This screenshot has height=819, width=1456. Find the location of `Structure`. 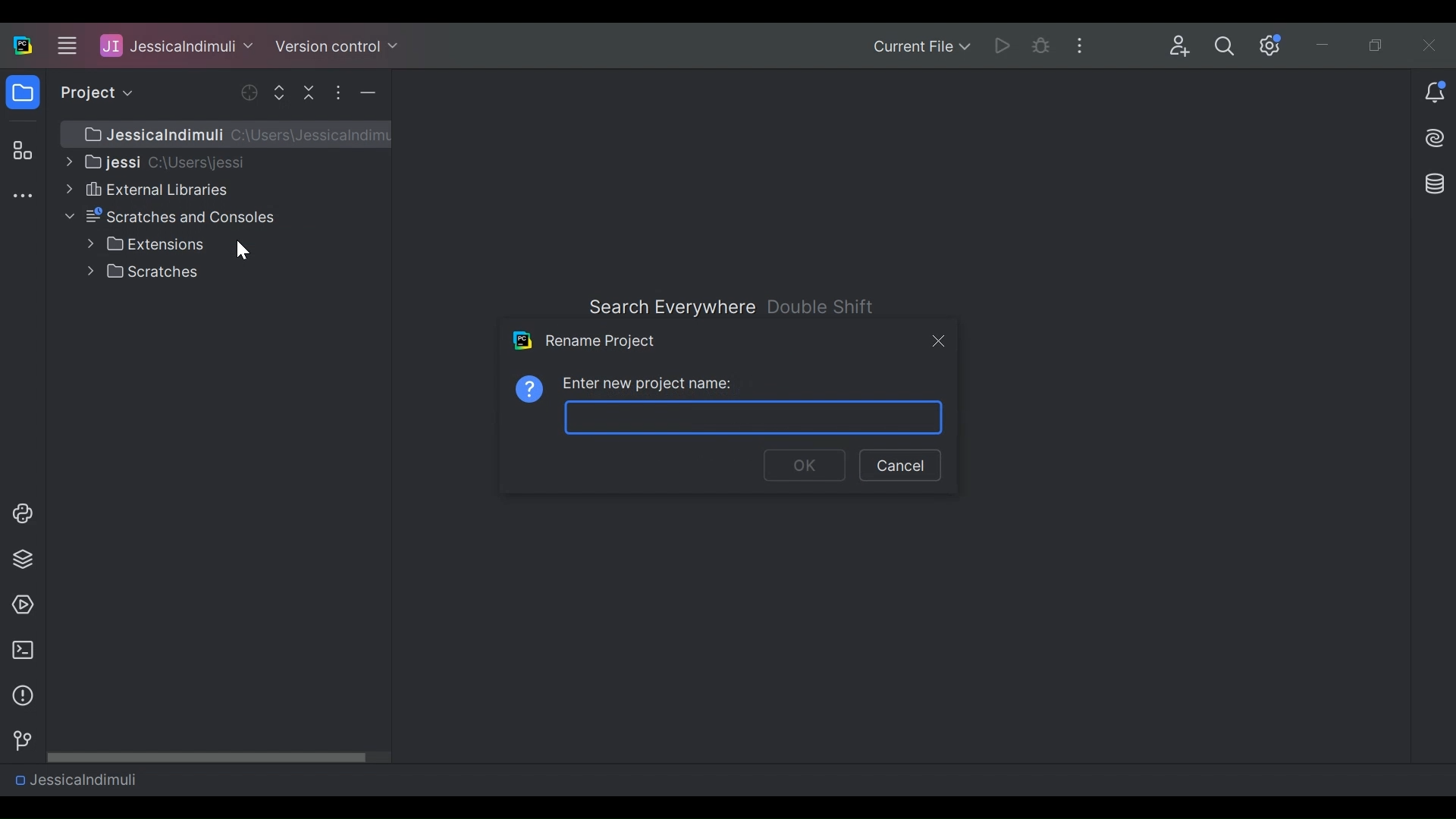

Structure is located at coordinates (20, 152).